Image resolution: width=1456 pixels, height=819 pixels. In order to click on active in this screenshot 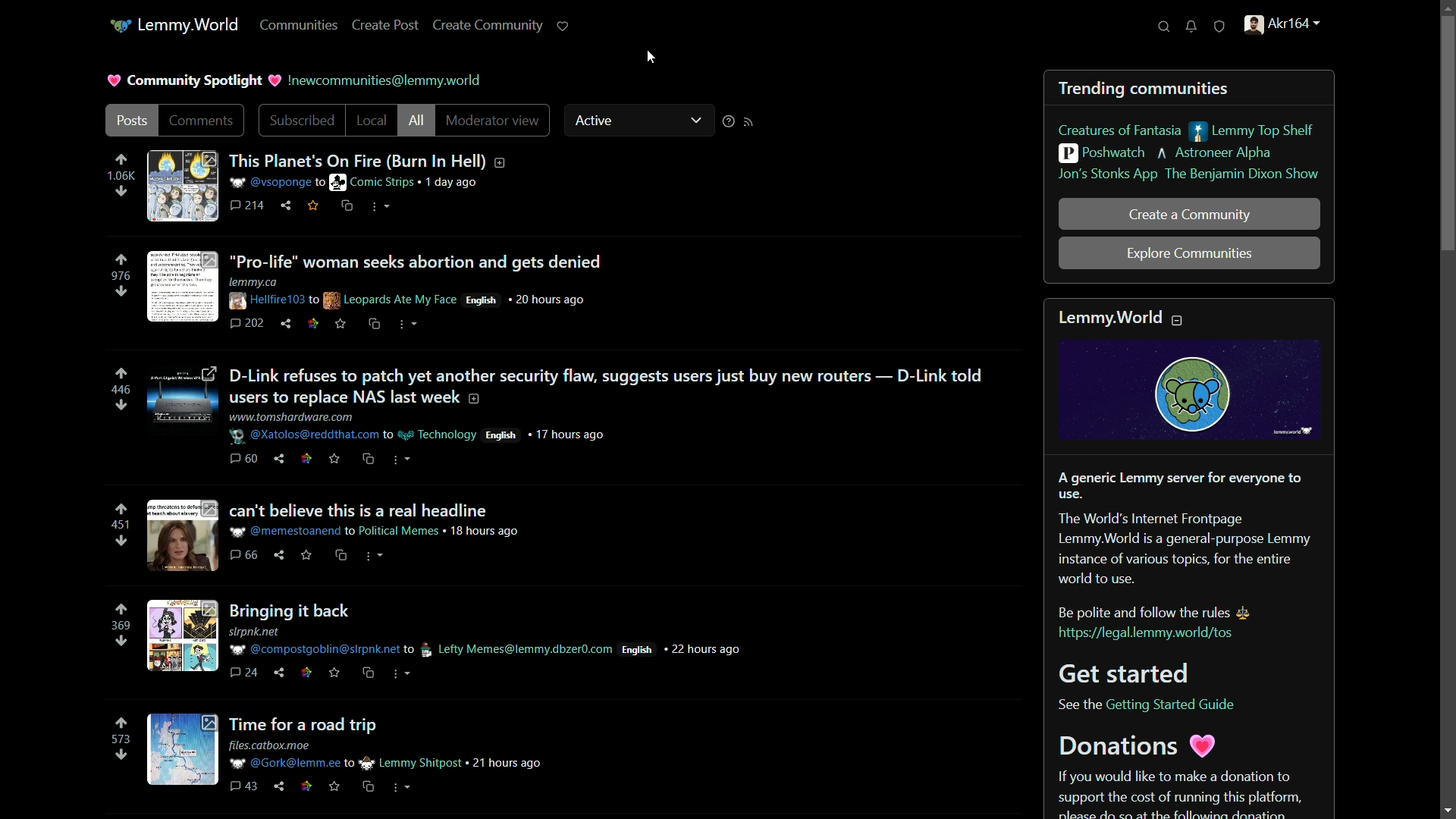, I will do `click(597, 120)`.